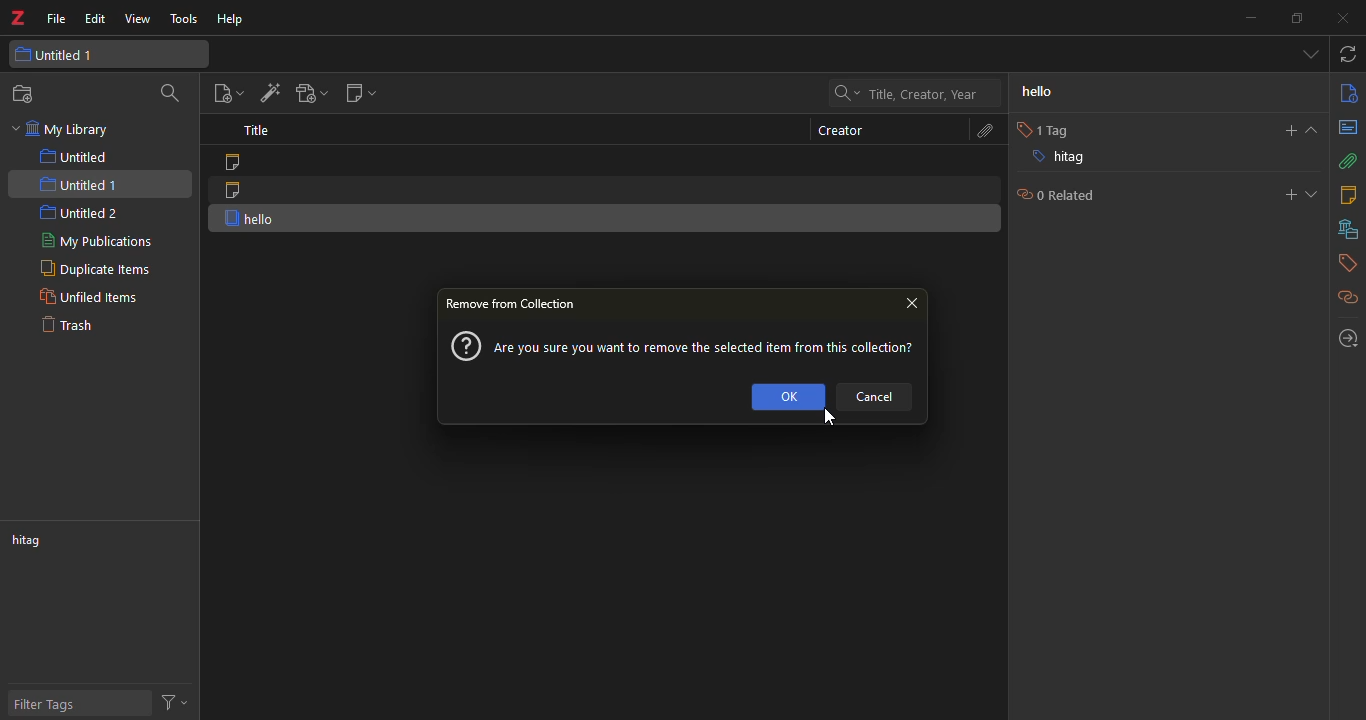  Describe the element at coordinates (1038, 131) in the screenshot. I see `1 tag` at that location.